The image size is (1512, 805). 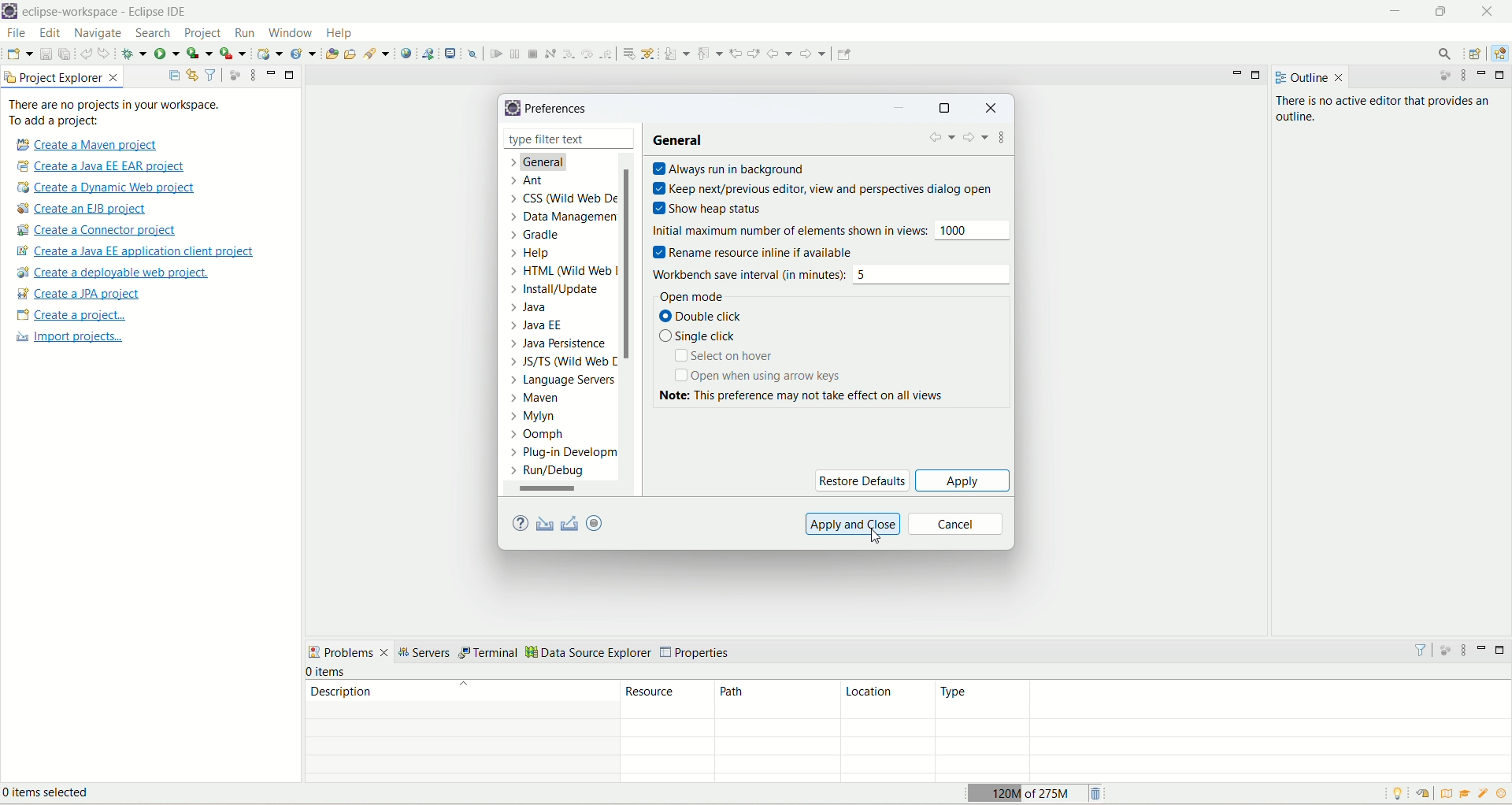 I want to click on tutorials, so click(x=1467, y=794).